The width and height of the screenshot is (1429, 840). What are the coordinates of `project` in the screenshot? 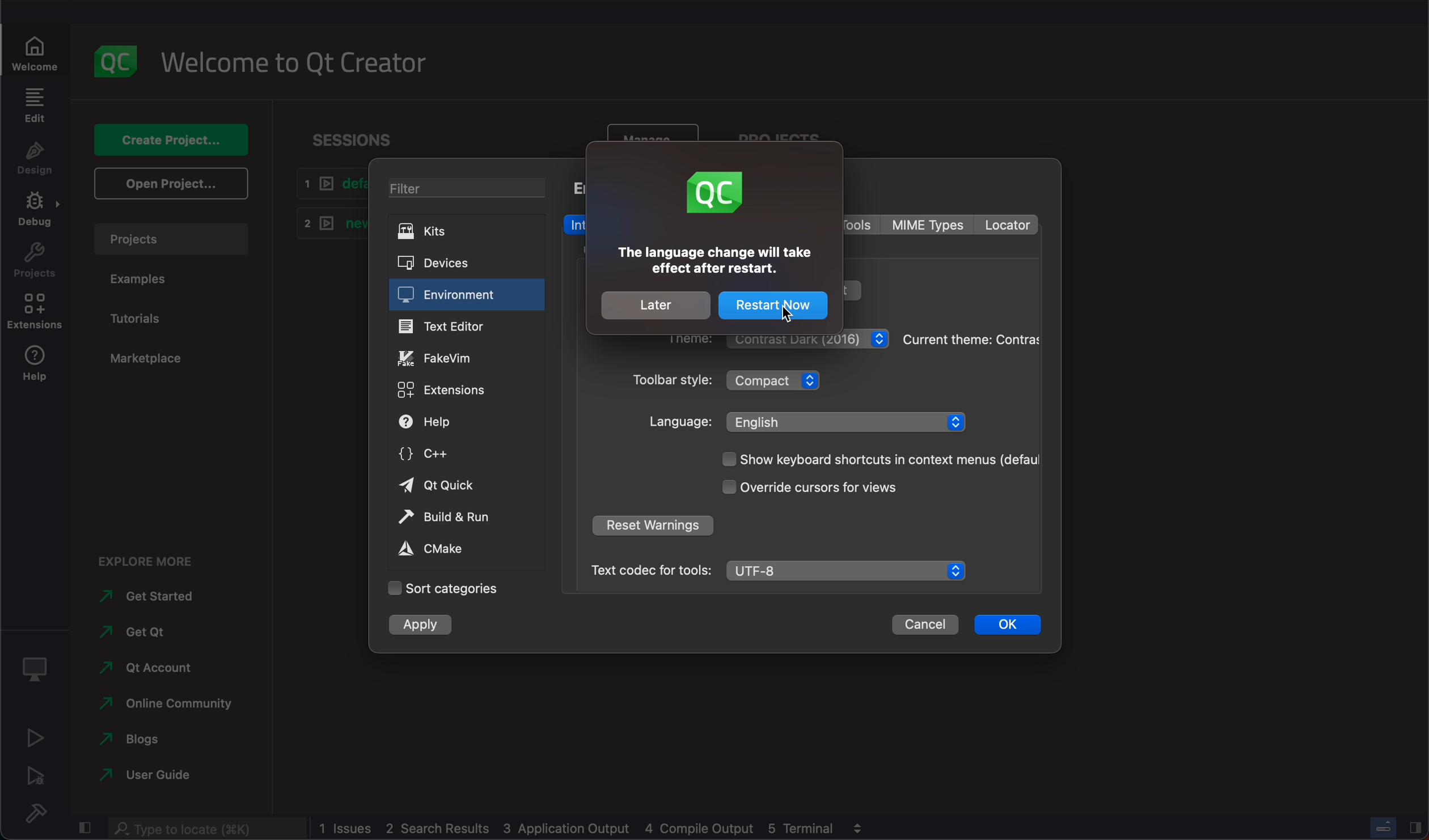 It's located at (34, 261).